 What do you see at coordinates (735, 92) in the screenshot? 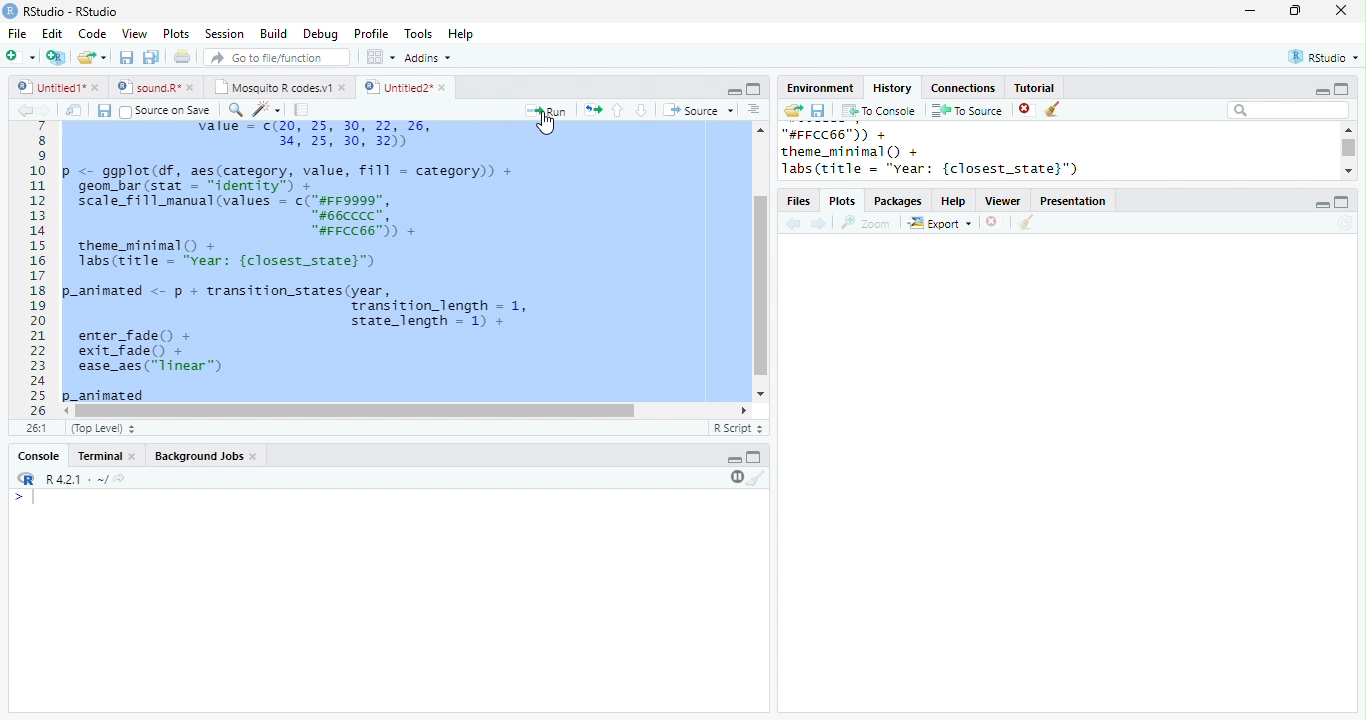
I see `minimize` at bounding box center [735, 92].